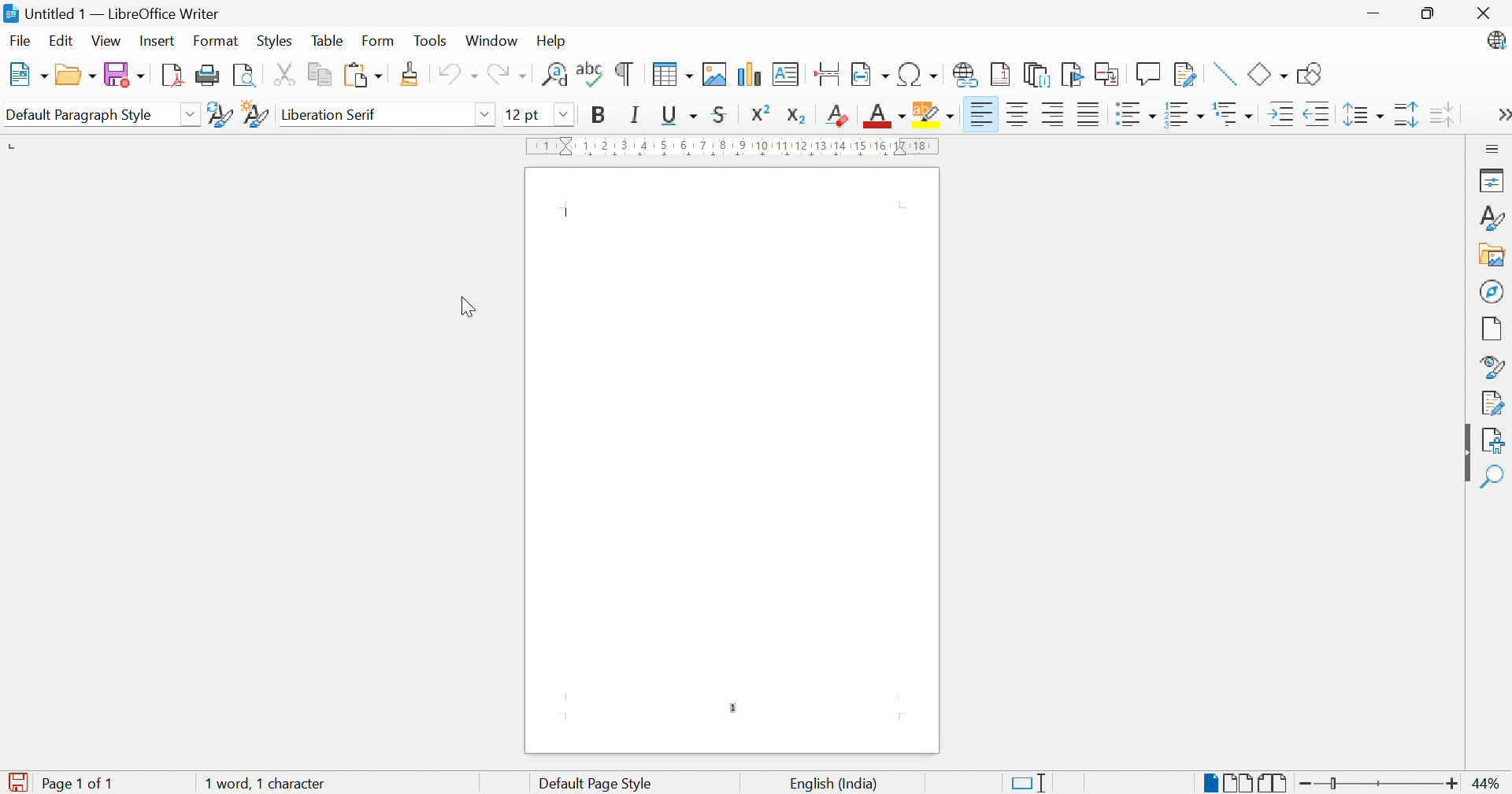  What do you see at coordinates (1493, 403) in the screenshot?
I see `Manage changes` at bounding box center [1493, 403].